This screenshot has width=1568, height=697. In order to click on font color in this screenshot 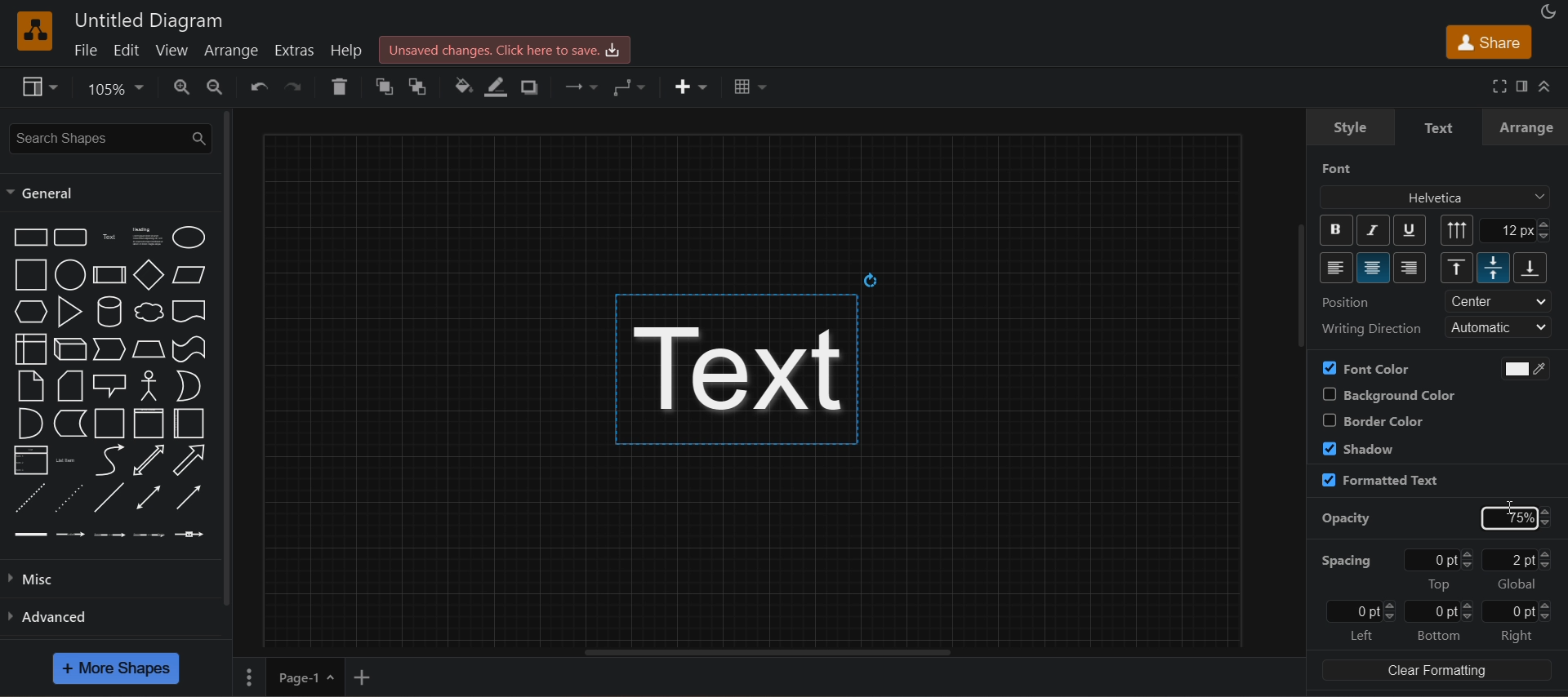, I will do `click(1366, 368)`.